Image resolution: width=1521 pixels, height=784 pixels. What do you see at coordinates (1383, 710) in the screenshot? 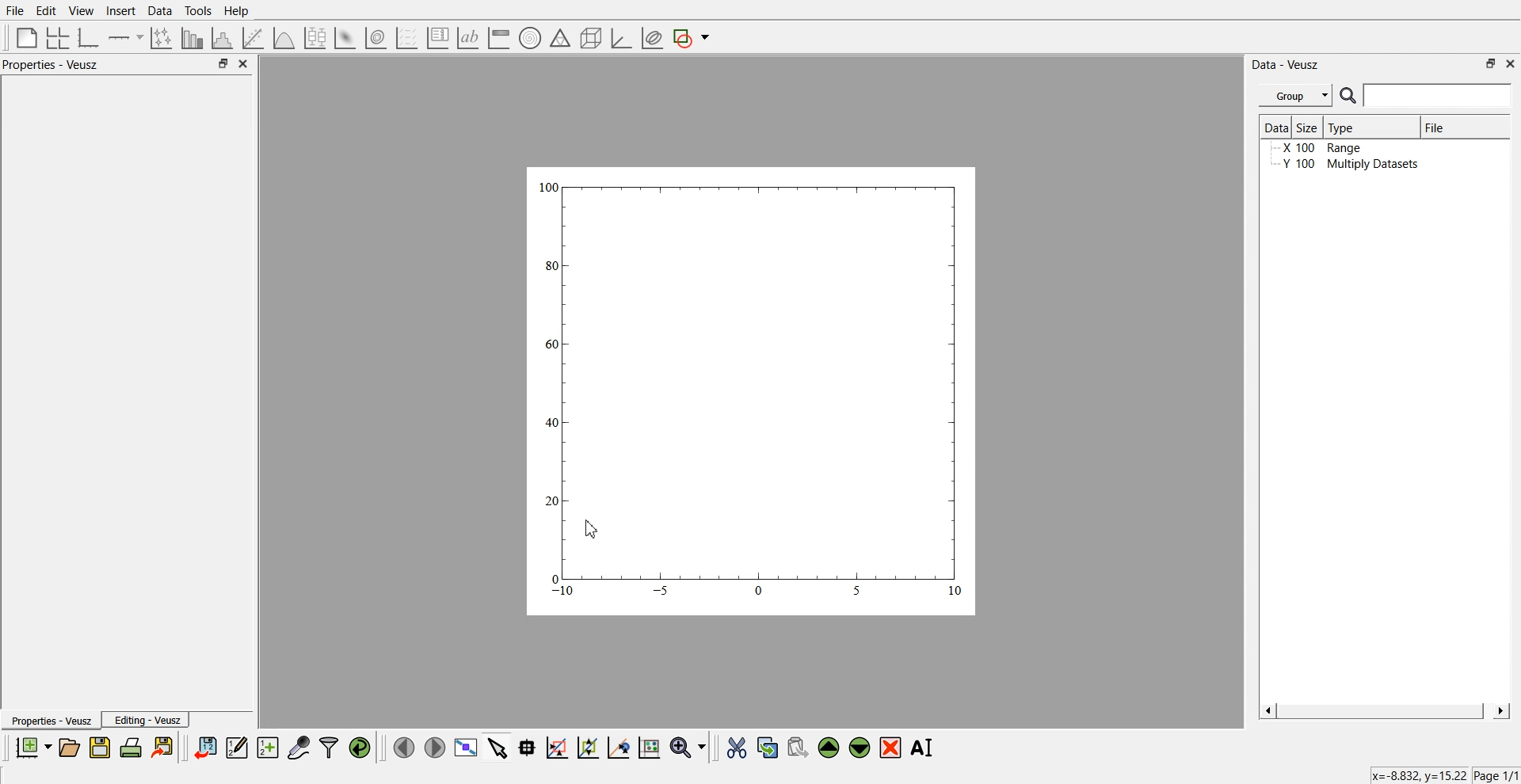
I see `scroll bar` at bounding box center [1383, 710].